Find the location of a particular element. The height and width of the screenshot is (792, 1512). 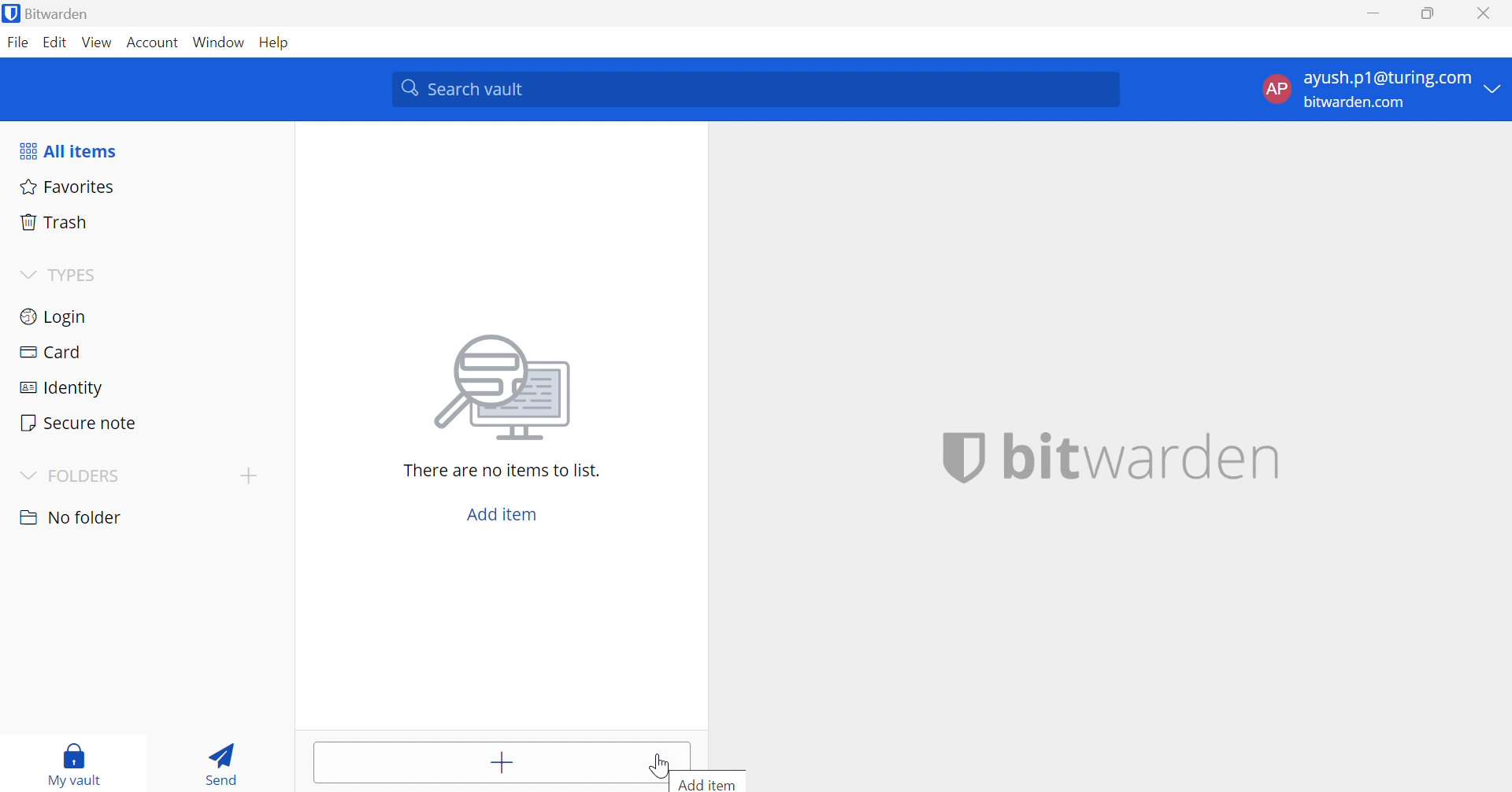

Identity is located at coordinates (140, 383).